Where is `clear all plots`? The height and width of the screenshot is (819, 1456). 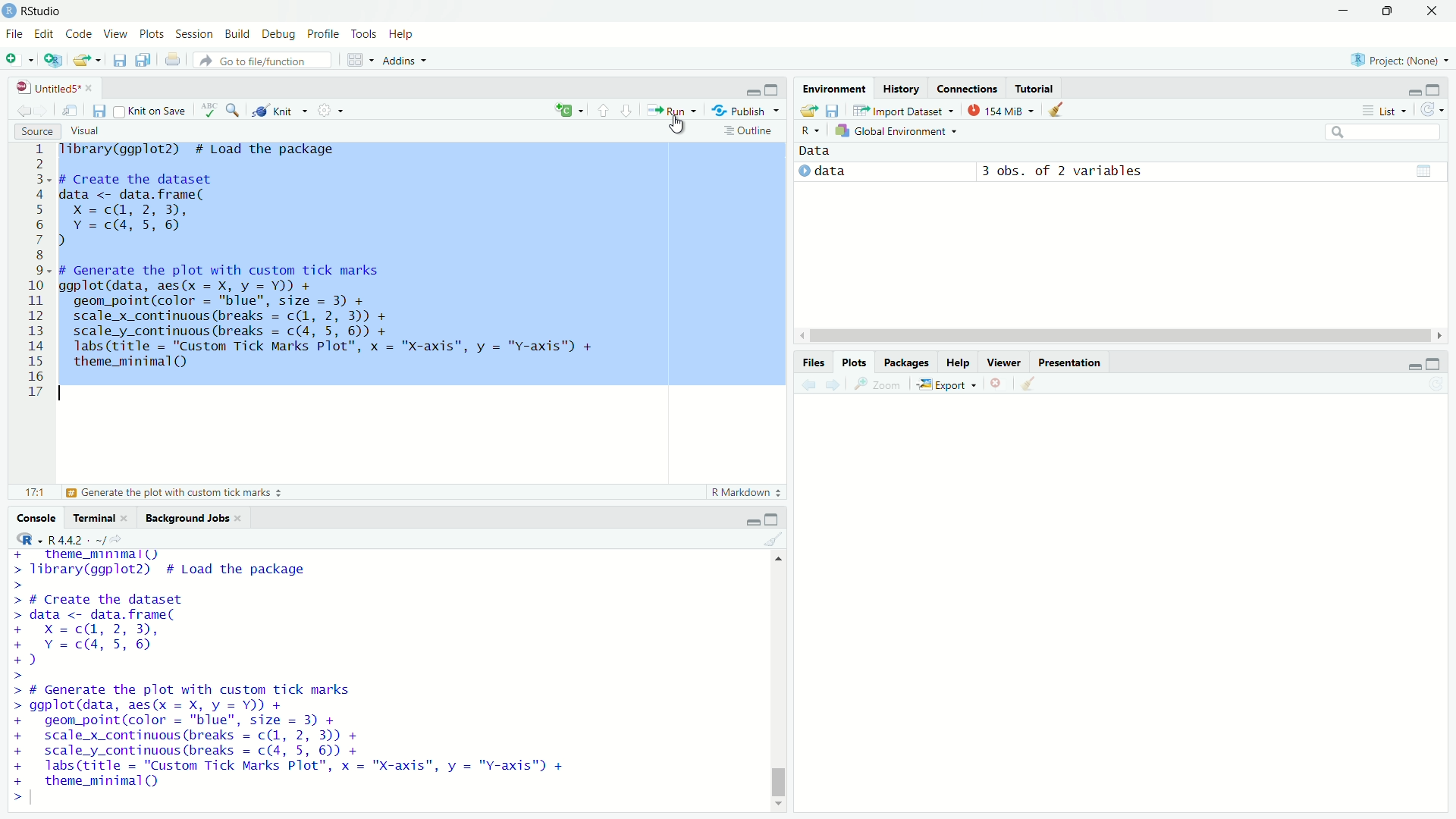
clear all plots is located at coordinates (1028, 384).